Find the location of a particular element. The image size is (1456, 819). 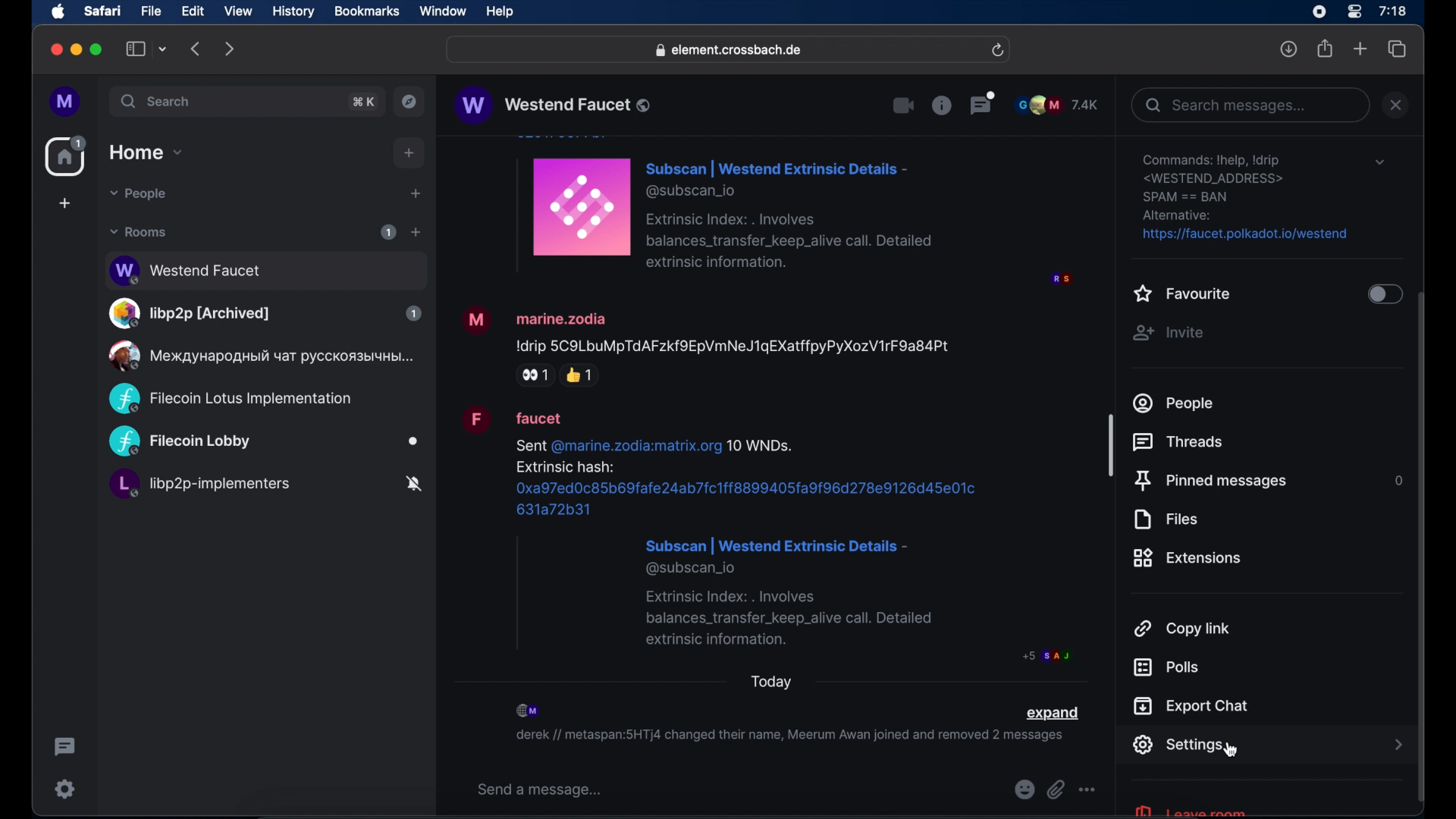

edit is located at coordinates (193, 11).